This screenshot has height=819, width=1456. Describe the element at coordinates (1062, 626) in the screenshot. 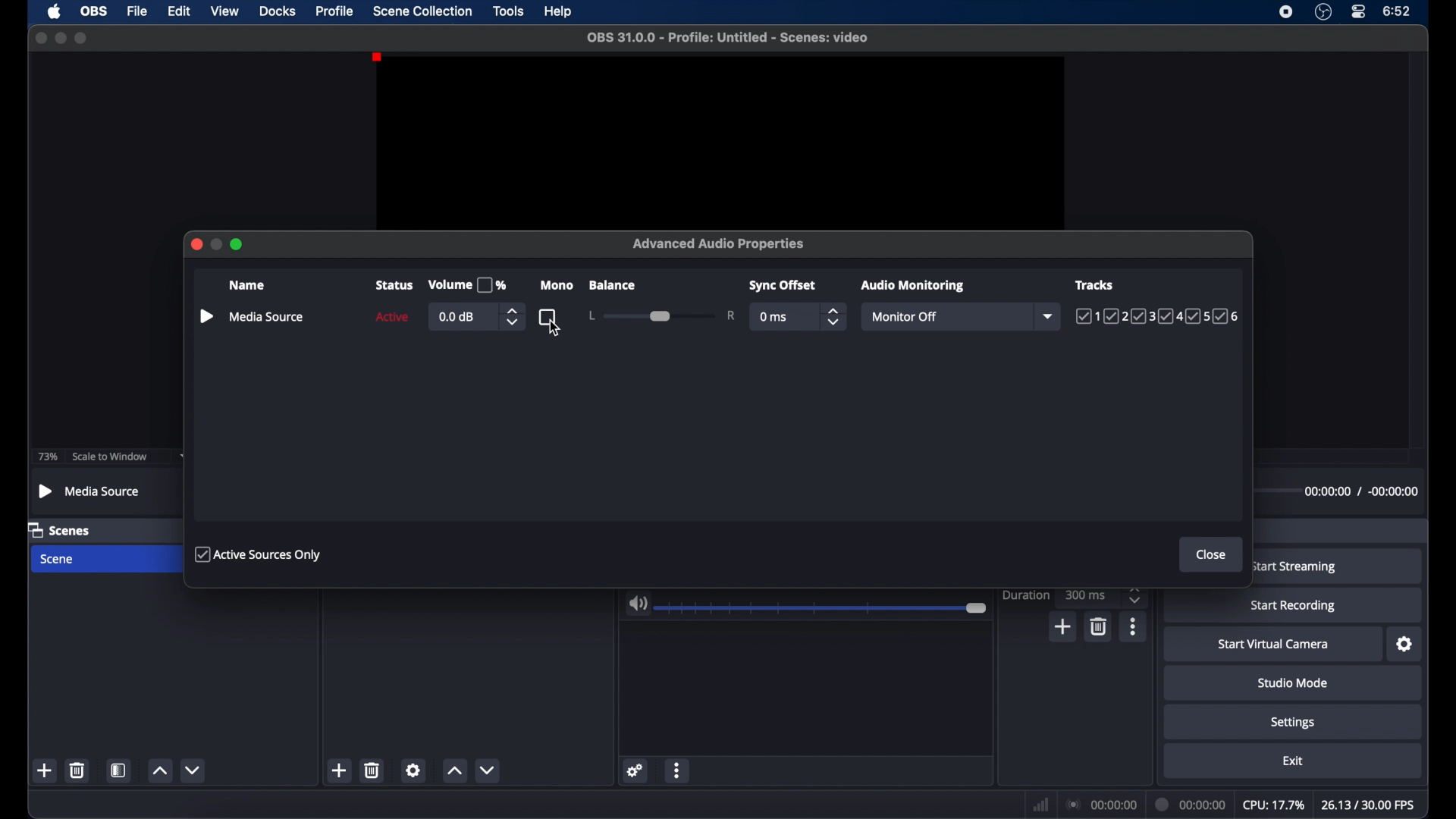

I see `add` at that location.